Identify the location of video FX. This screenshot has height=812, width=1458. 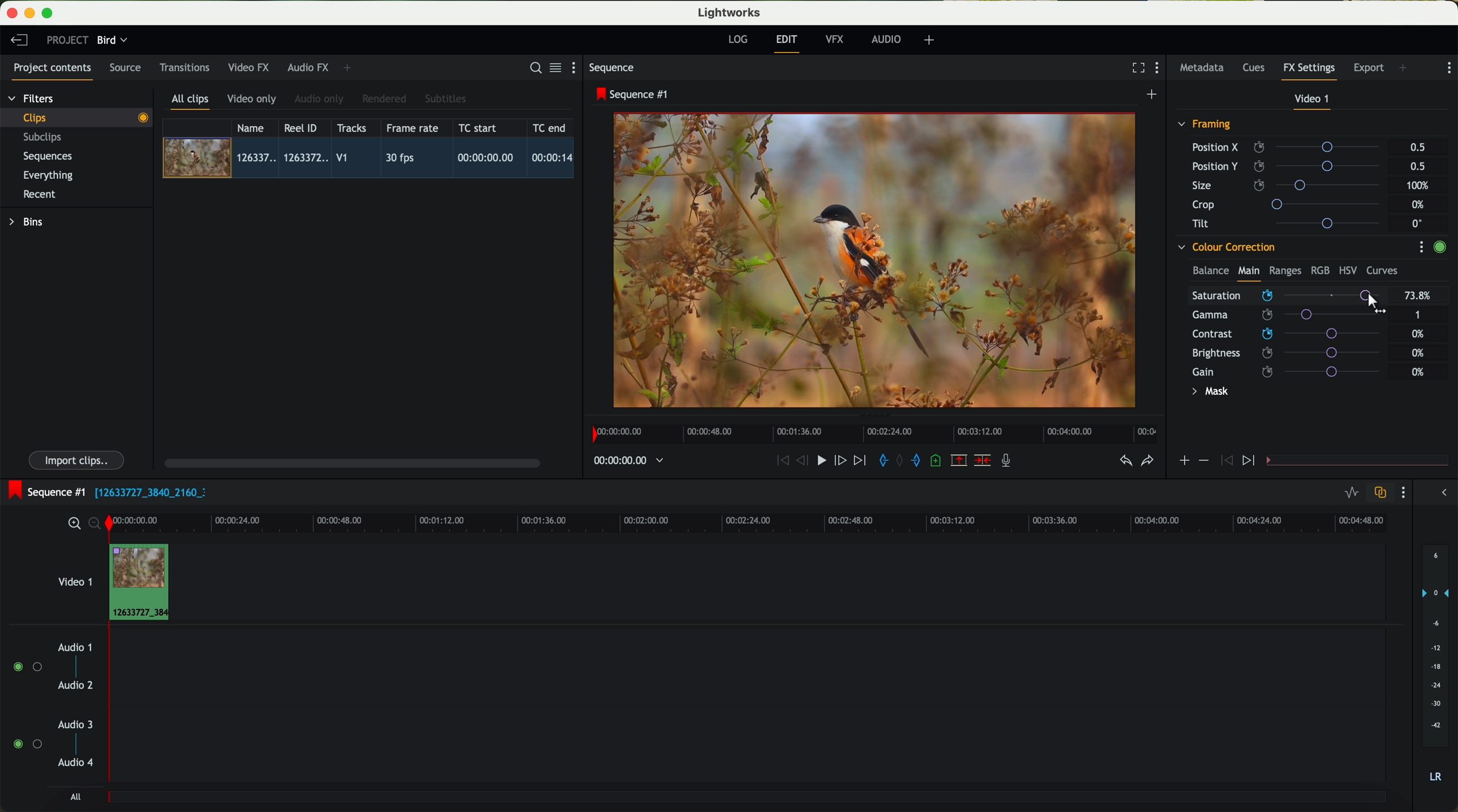
(251, 67).